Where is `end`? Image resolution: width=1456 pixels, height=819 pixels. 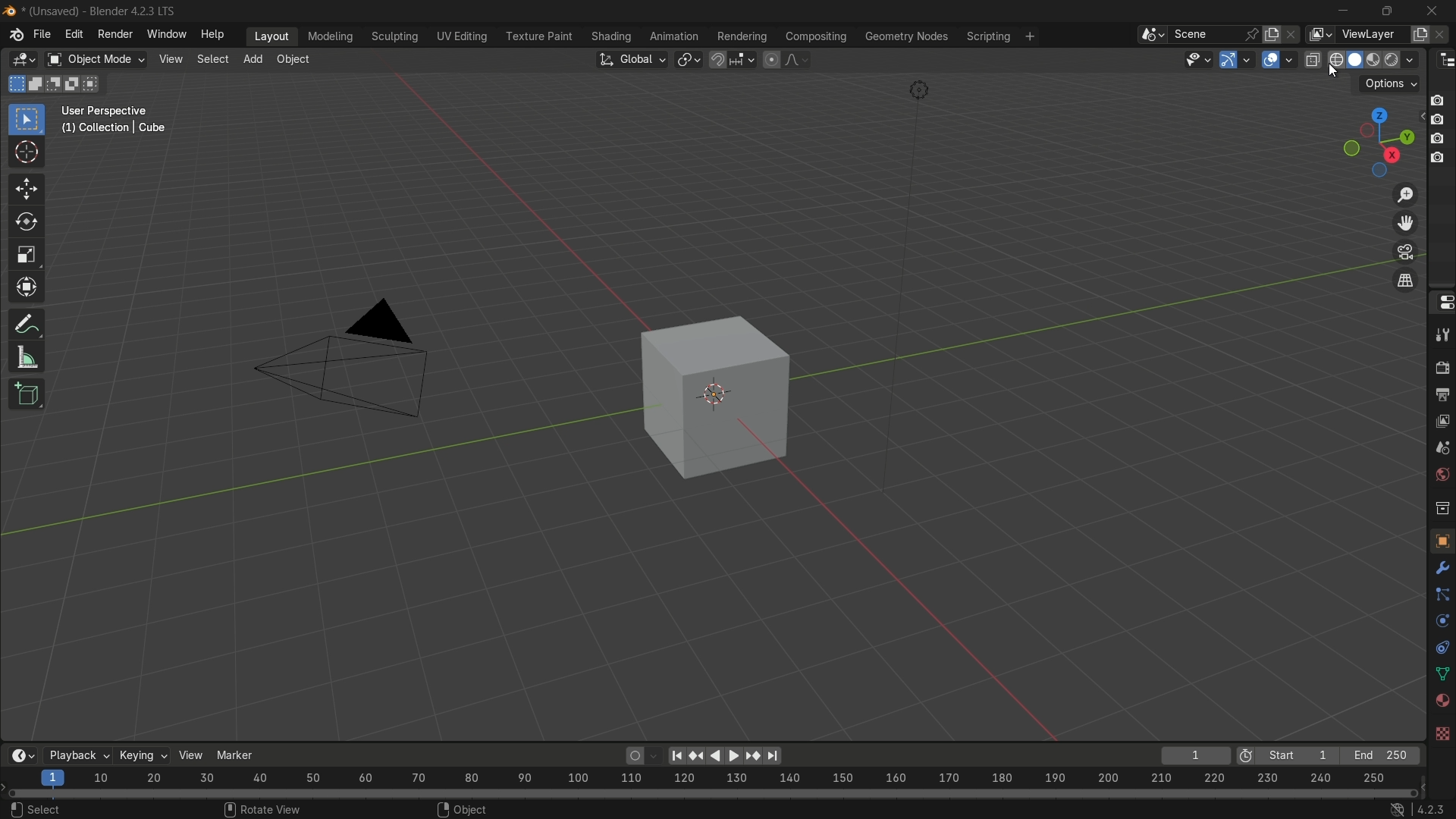
end is located at coordinates (1379, 755).